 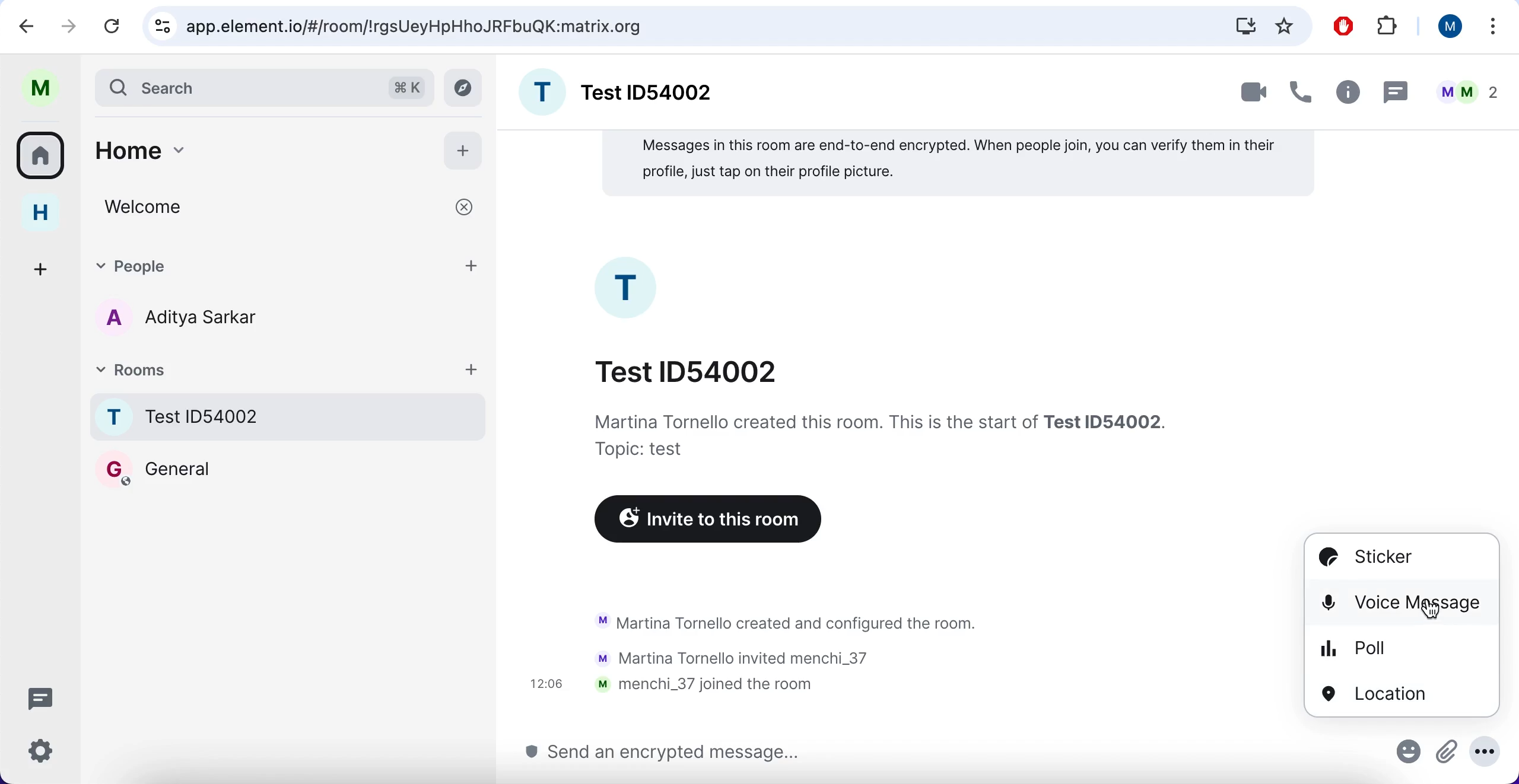 I want to click on poll, so click(x=1353, y=648).